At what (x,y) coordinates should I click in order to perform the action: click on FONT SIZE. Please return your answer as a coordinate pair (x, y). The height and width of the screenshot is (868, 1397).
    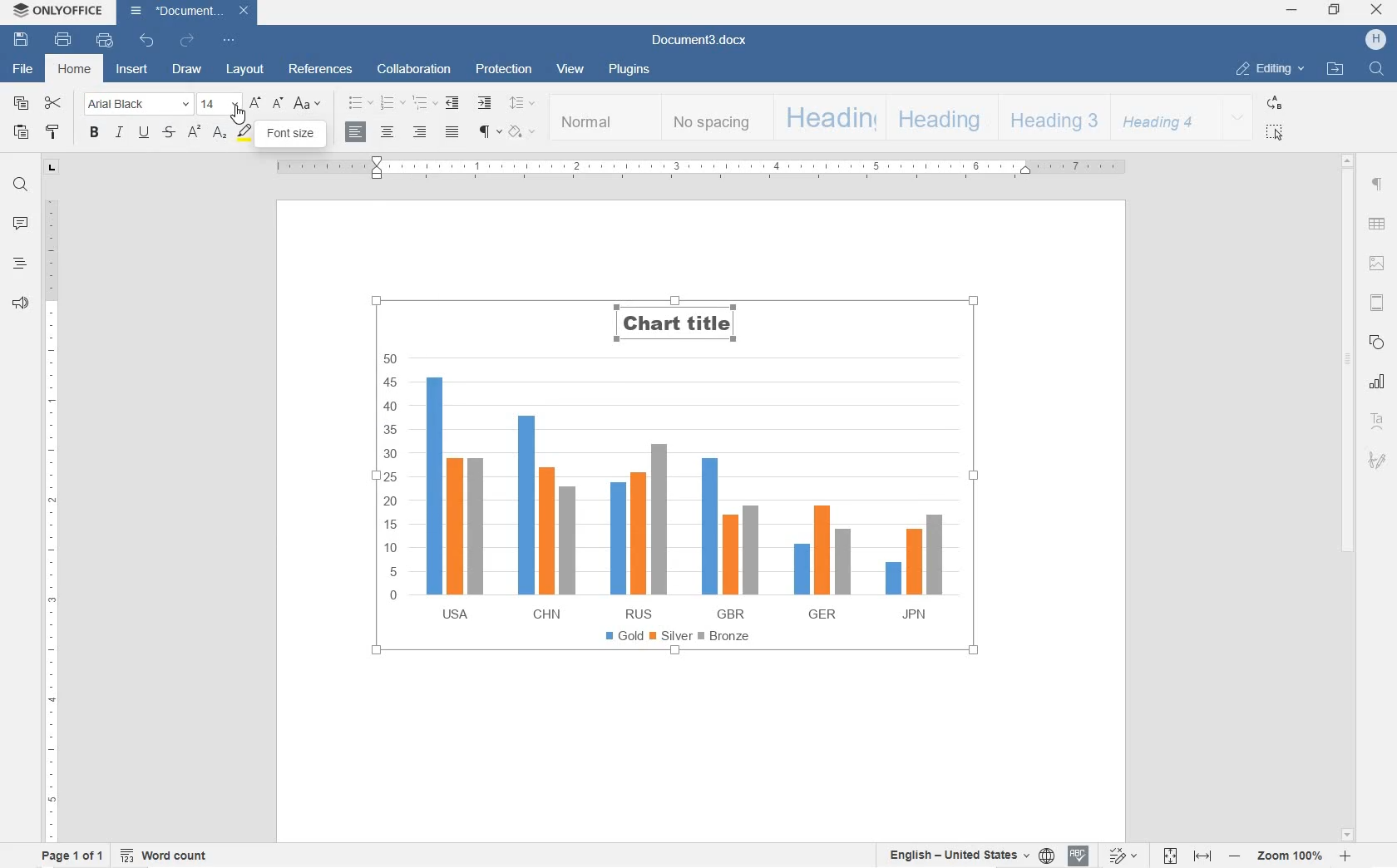
    Looking at the image, I should click on (291, 136).